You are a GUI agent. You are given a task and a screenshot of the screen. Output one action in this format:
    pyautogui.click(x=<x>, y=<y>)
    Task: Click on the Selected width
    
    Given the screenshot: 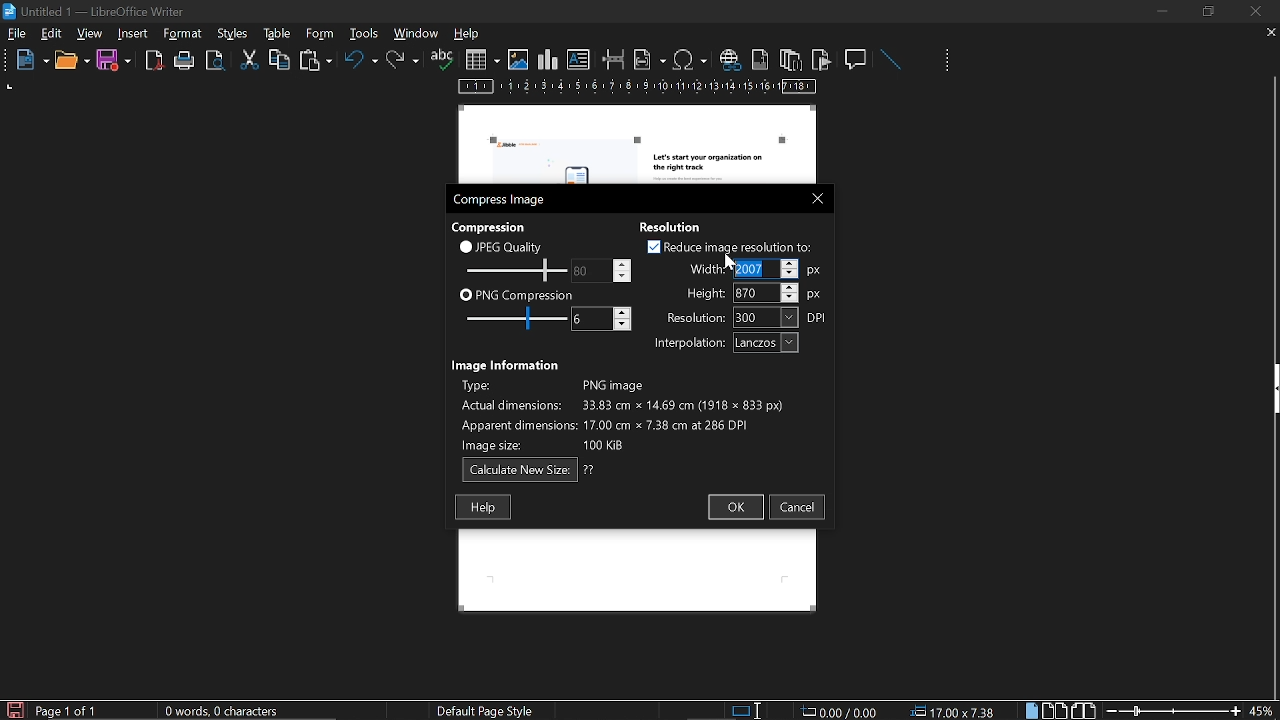 What is the action you would take?
    pyautogui.click(x=757, y=269)
    